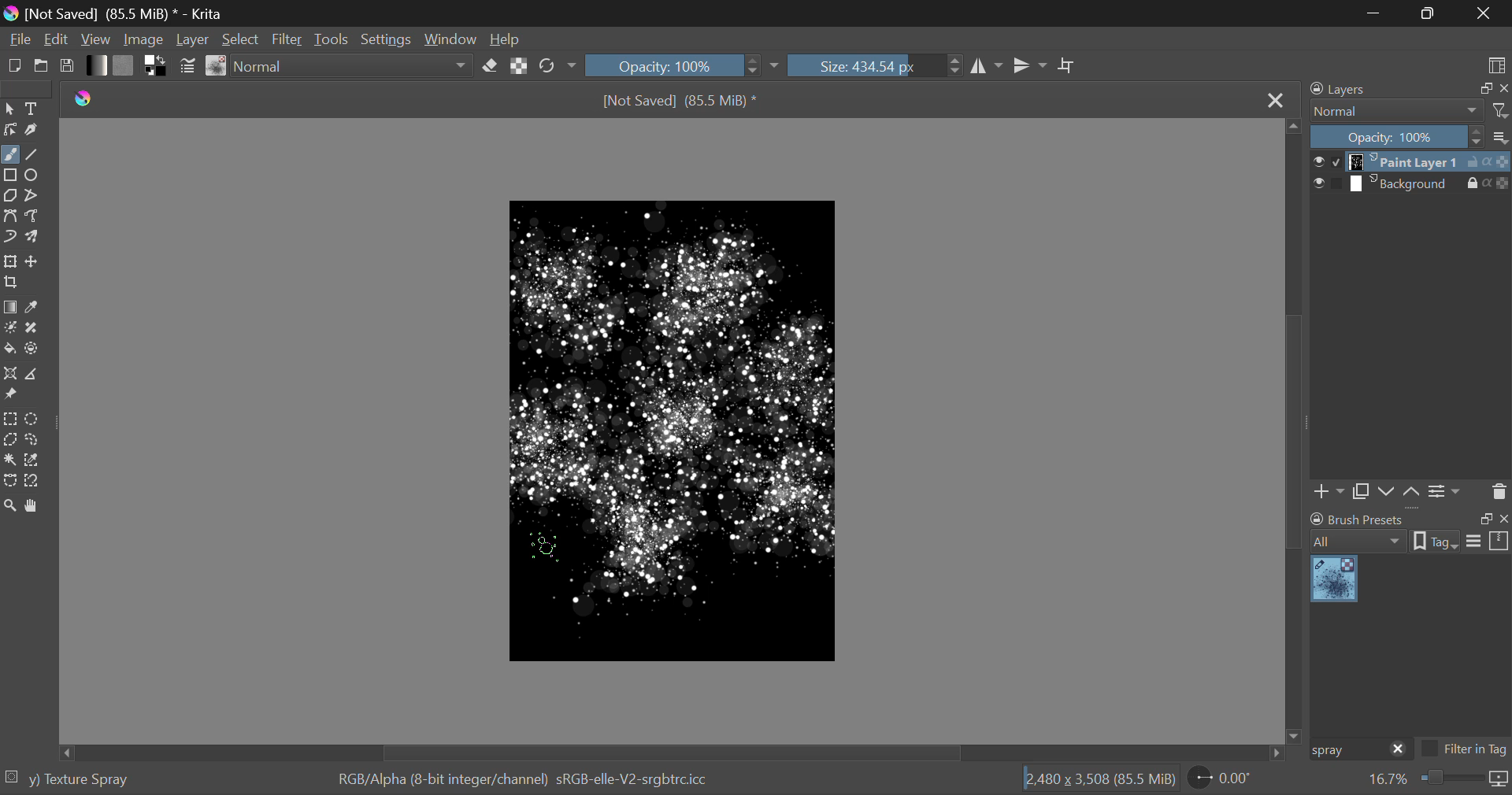  I want to click on selection, so click(10, 776).